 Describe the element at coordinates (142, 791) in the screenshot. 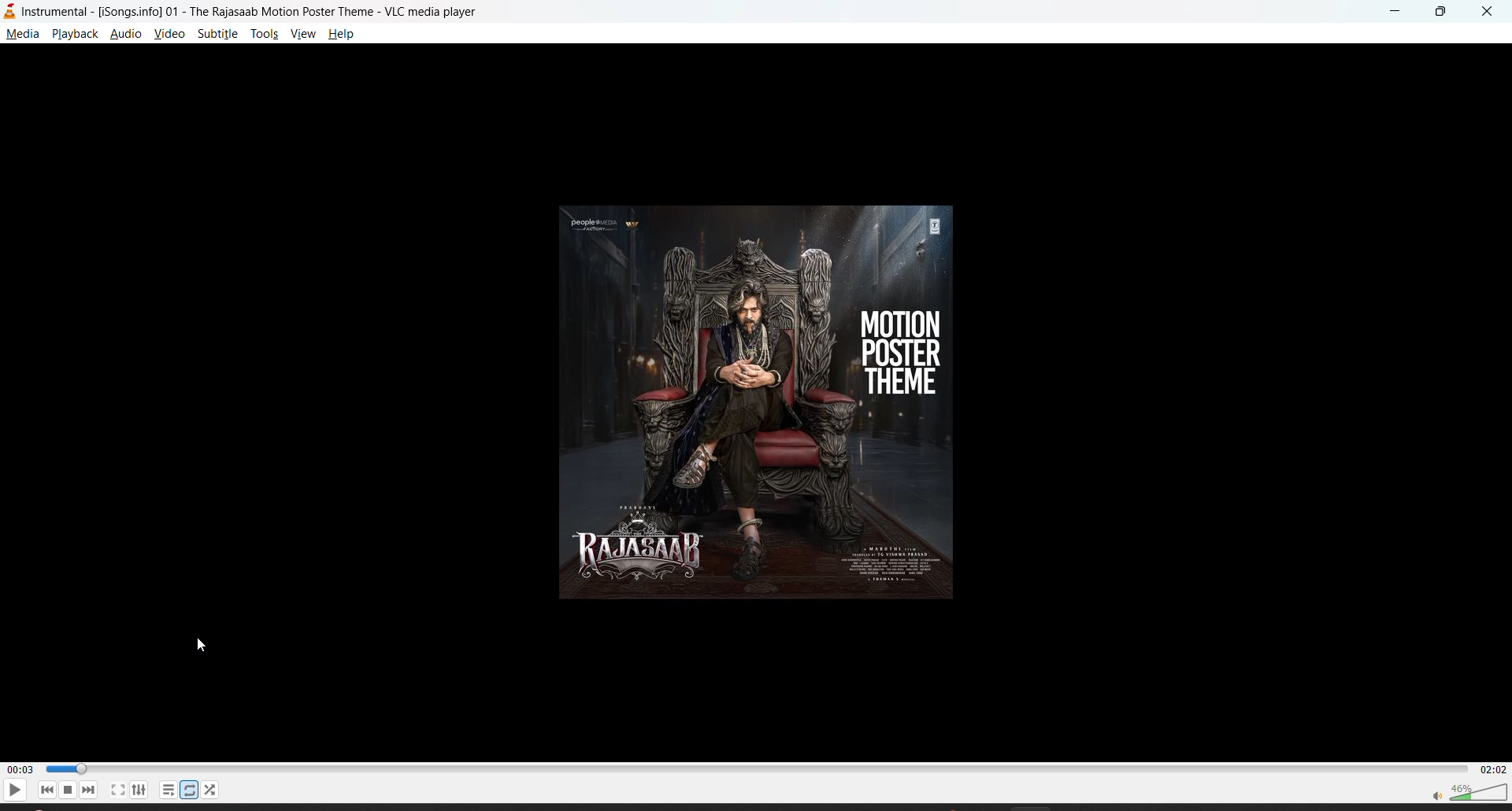

I see `settings` at that location.